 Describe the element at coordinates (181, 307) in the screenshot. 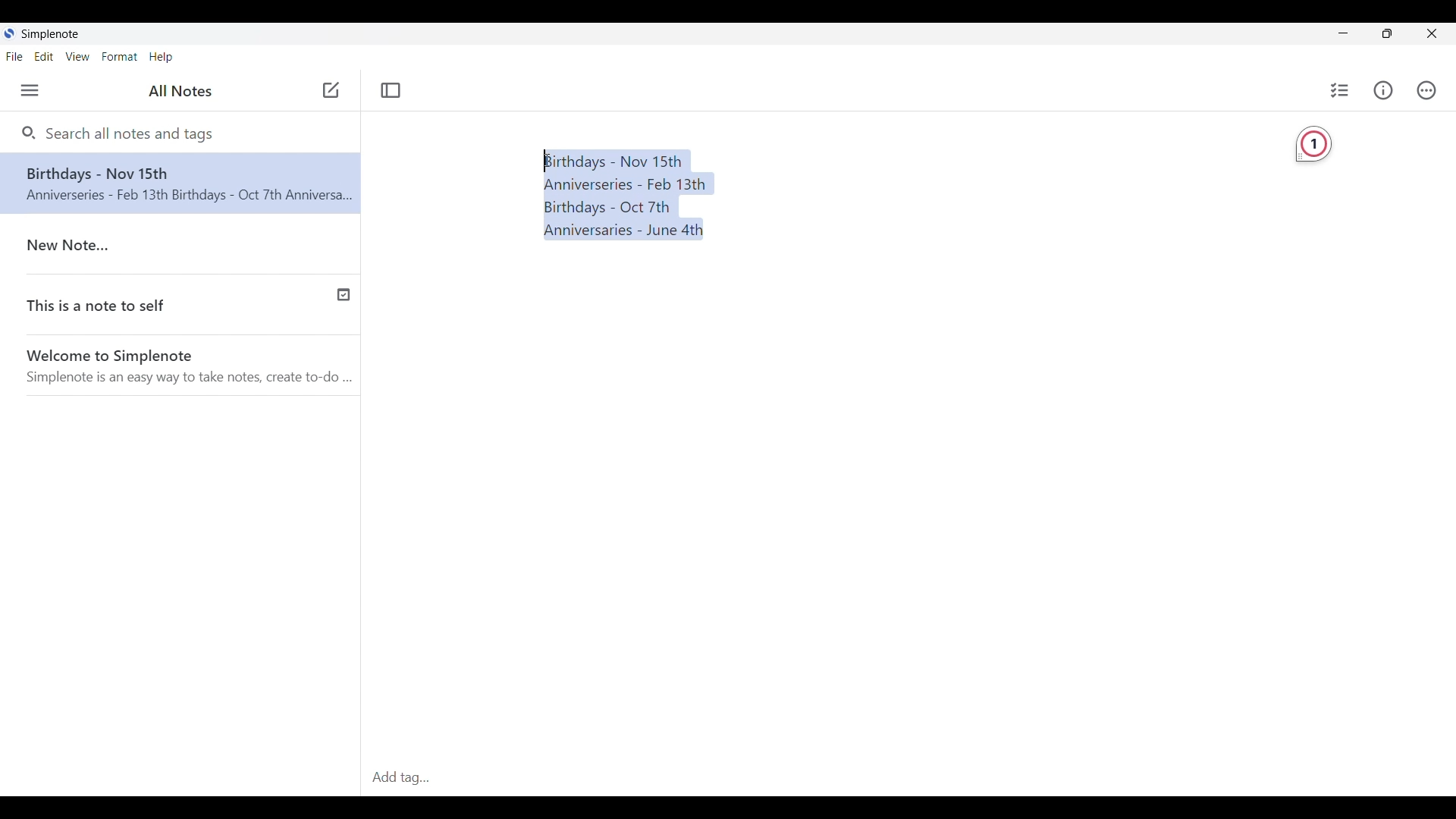

I see `This is a note to self(Published note indicated with a check icon)` at that location.